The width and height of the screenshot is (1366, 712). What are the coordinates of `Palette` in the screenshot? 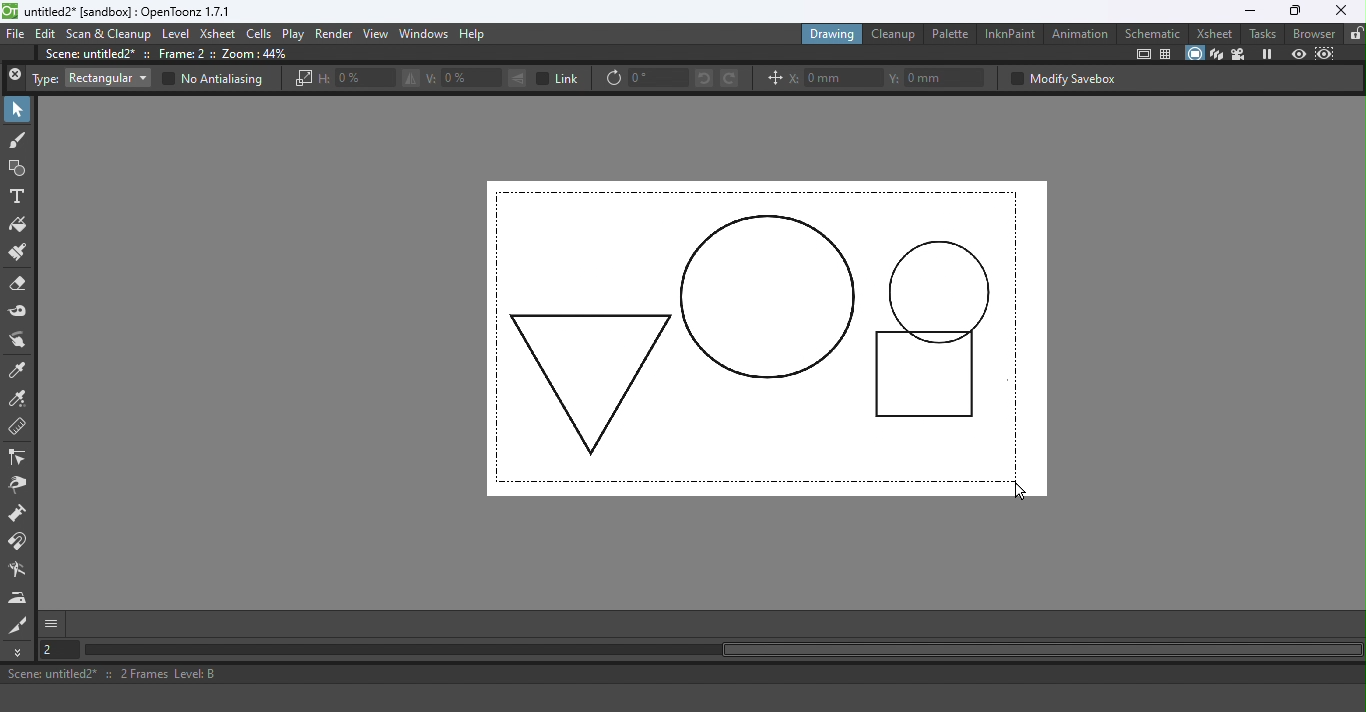 It's located at (949, 35).